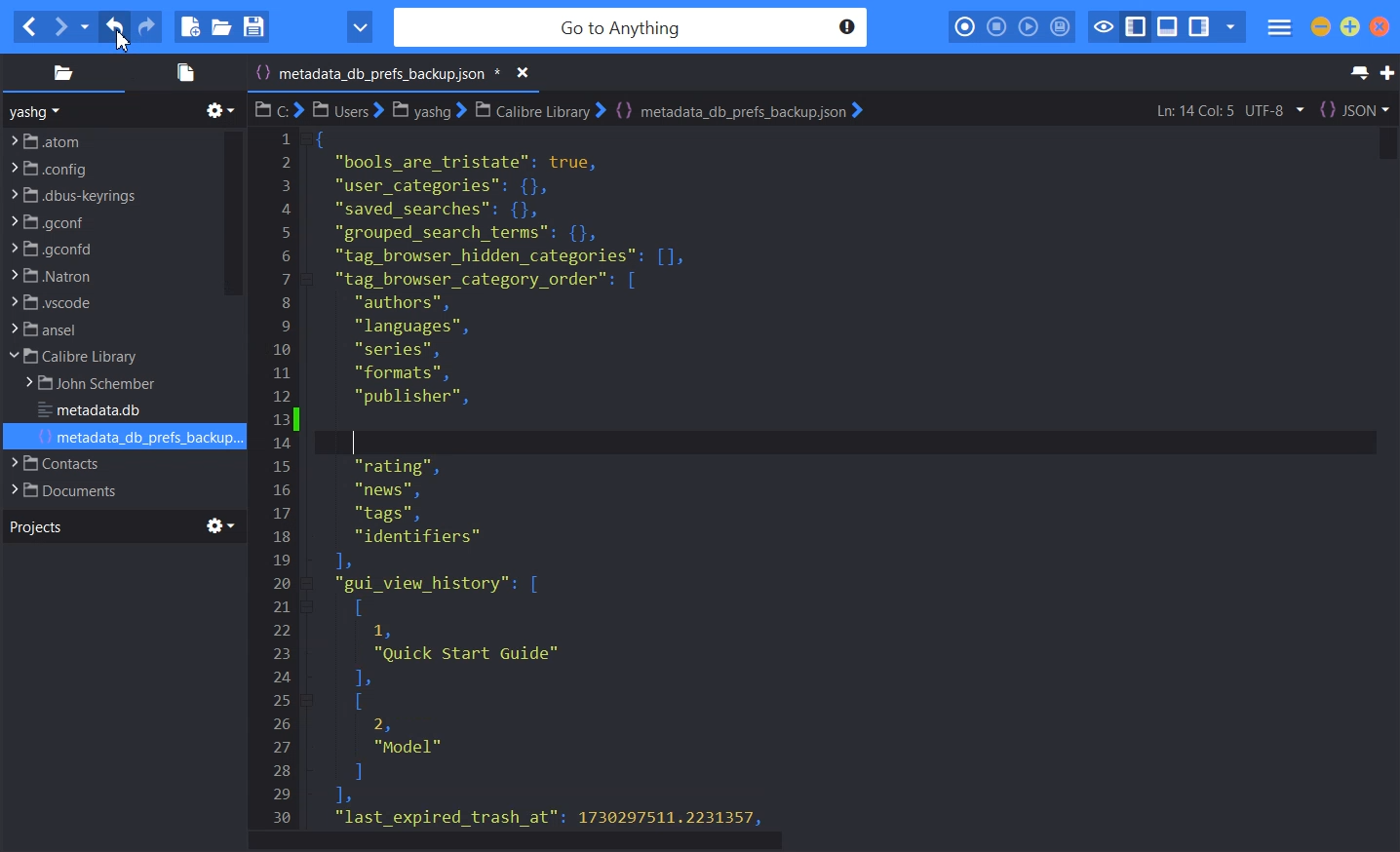 The image size is (1400, 852). Describe the element at coordinates (1168, 27) in the screenshot. I see `Show/hide bottom pane` at that location.